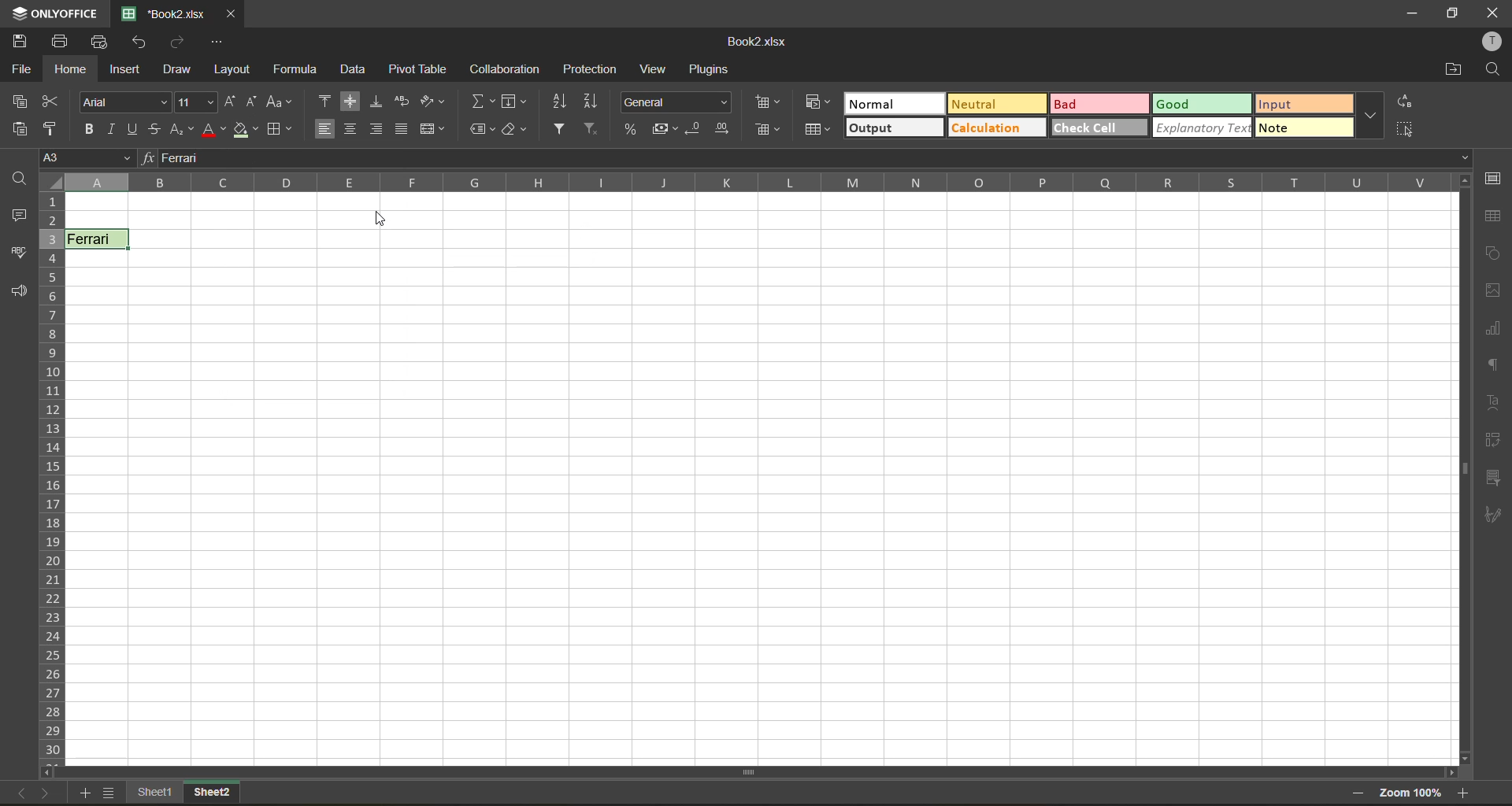  Describe the element at coordinates (1495, 365) in the screenshot. I see `paragraph` at that location.